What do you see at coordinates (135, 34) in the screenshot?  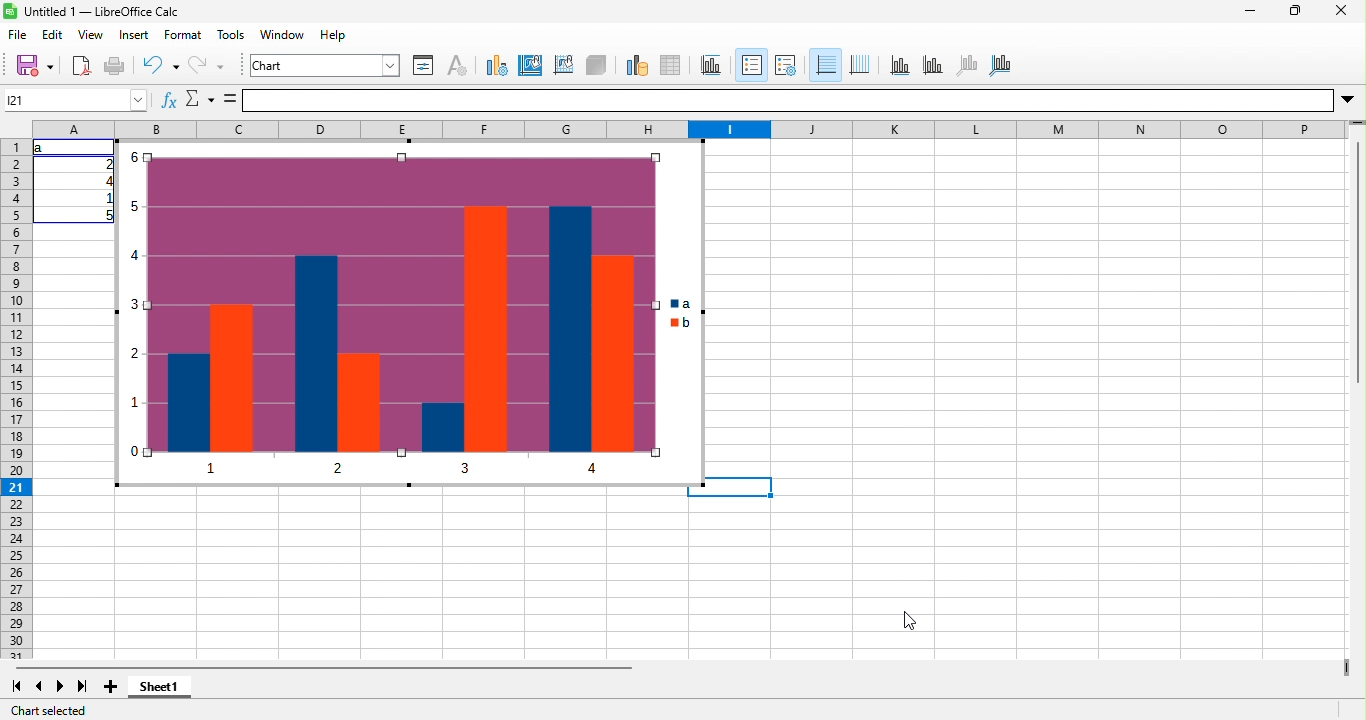 I see `insert` at bounding box center [135, 34].